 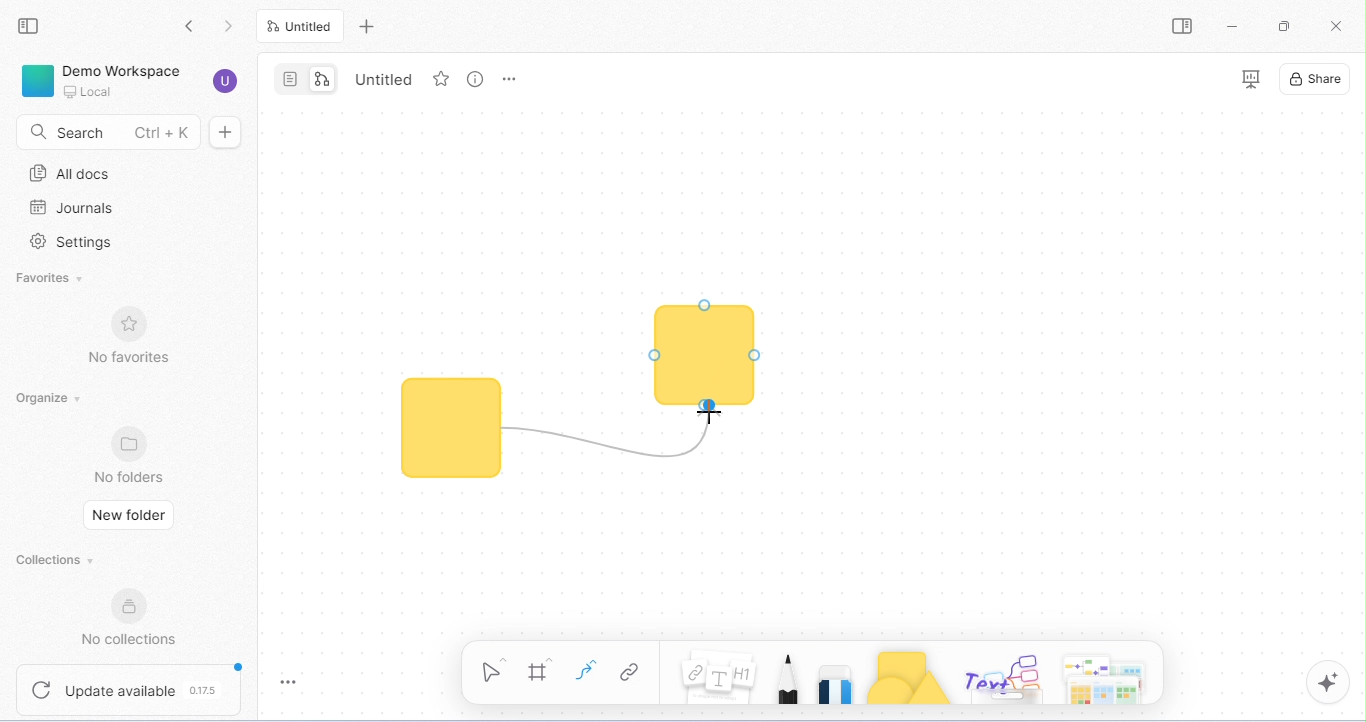 I want to click on all docs, so click(x=72, y=174).